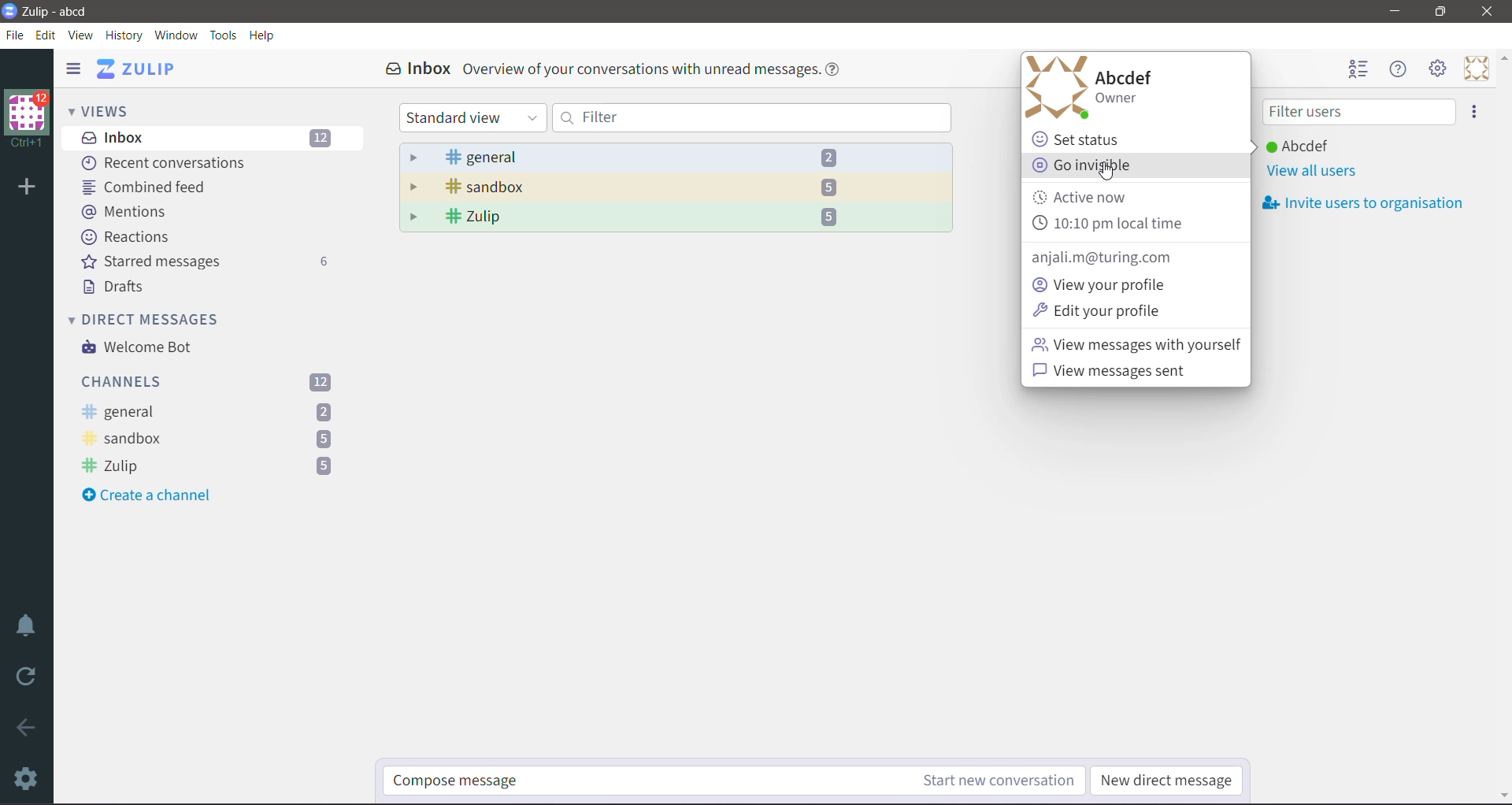 This screenshot has height=805, width=1512. I want to click on Standard view, so click(471, 118).